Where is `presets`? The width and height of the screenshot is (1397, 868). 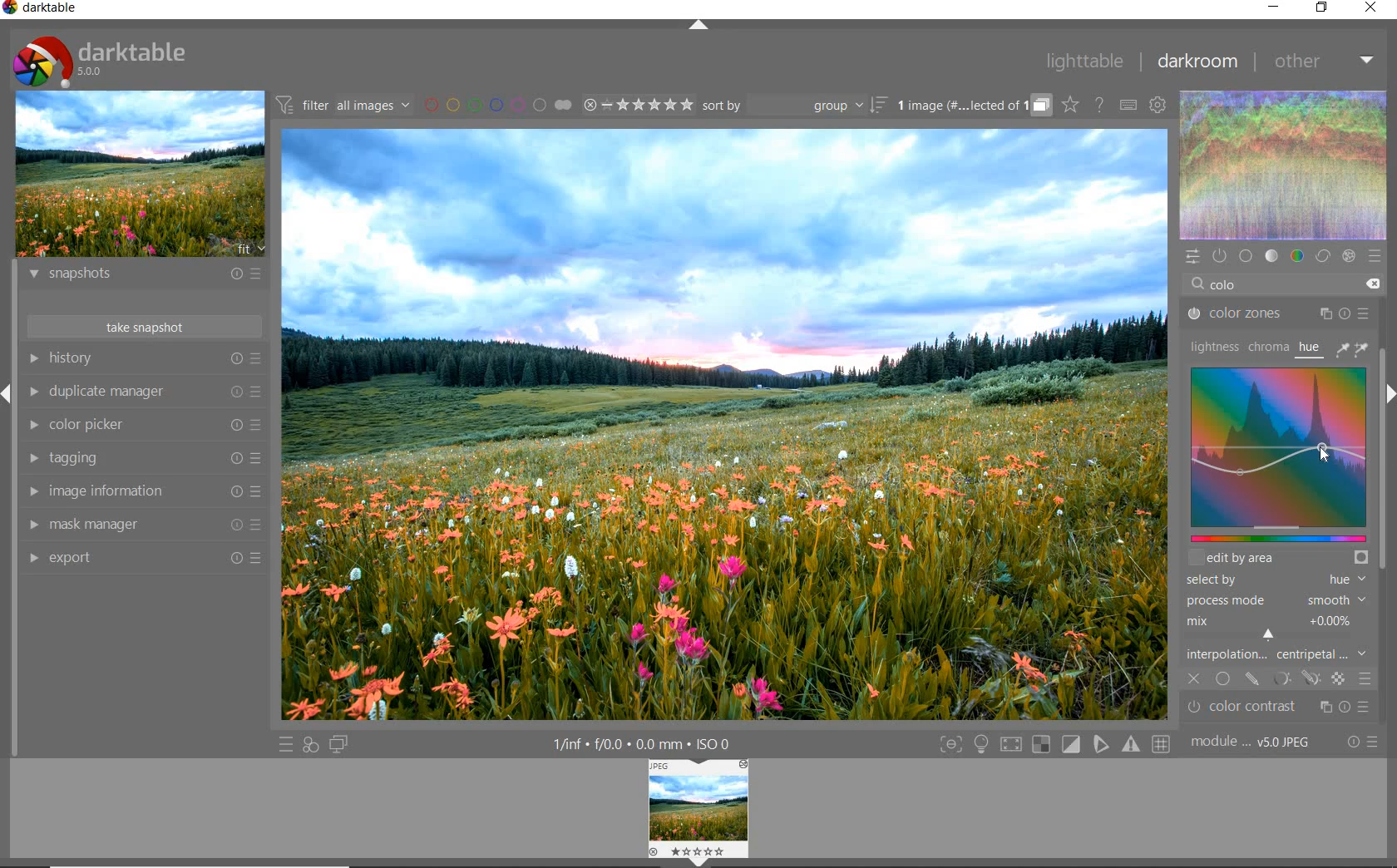 presets is located at coordinates (1374, 256).